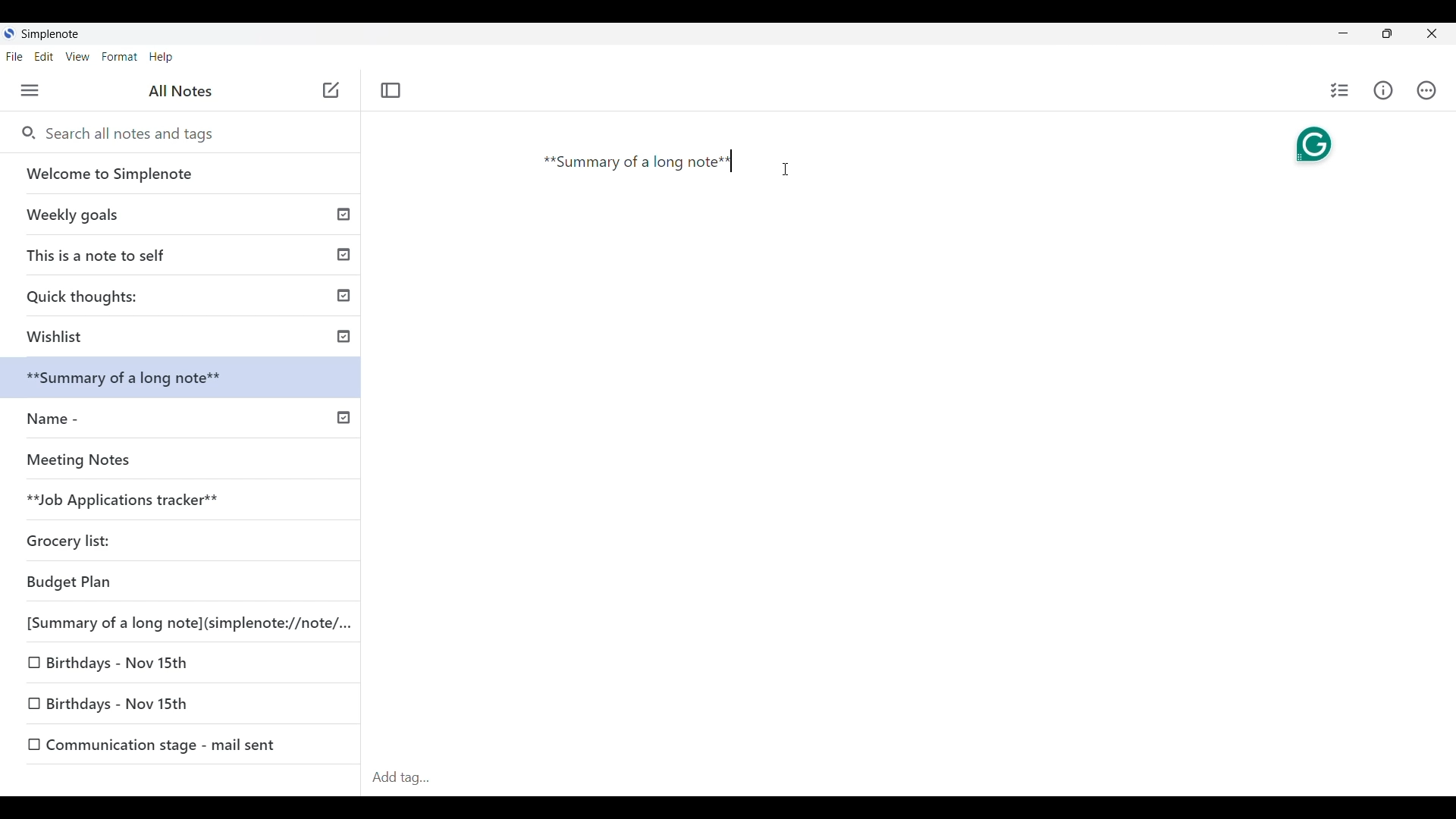 Image resolution: width=1456 pixels, height=819 pixels. What do you see at coordinates (181, 214) in the screenshot?
I see `Weekly goals` at bounding box center [181, 214].